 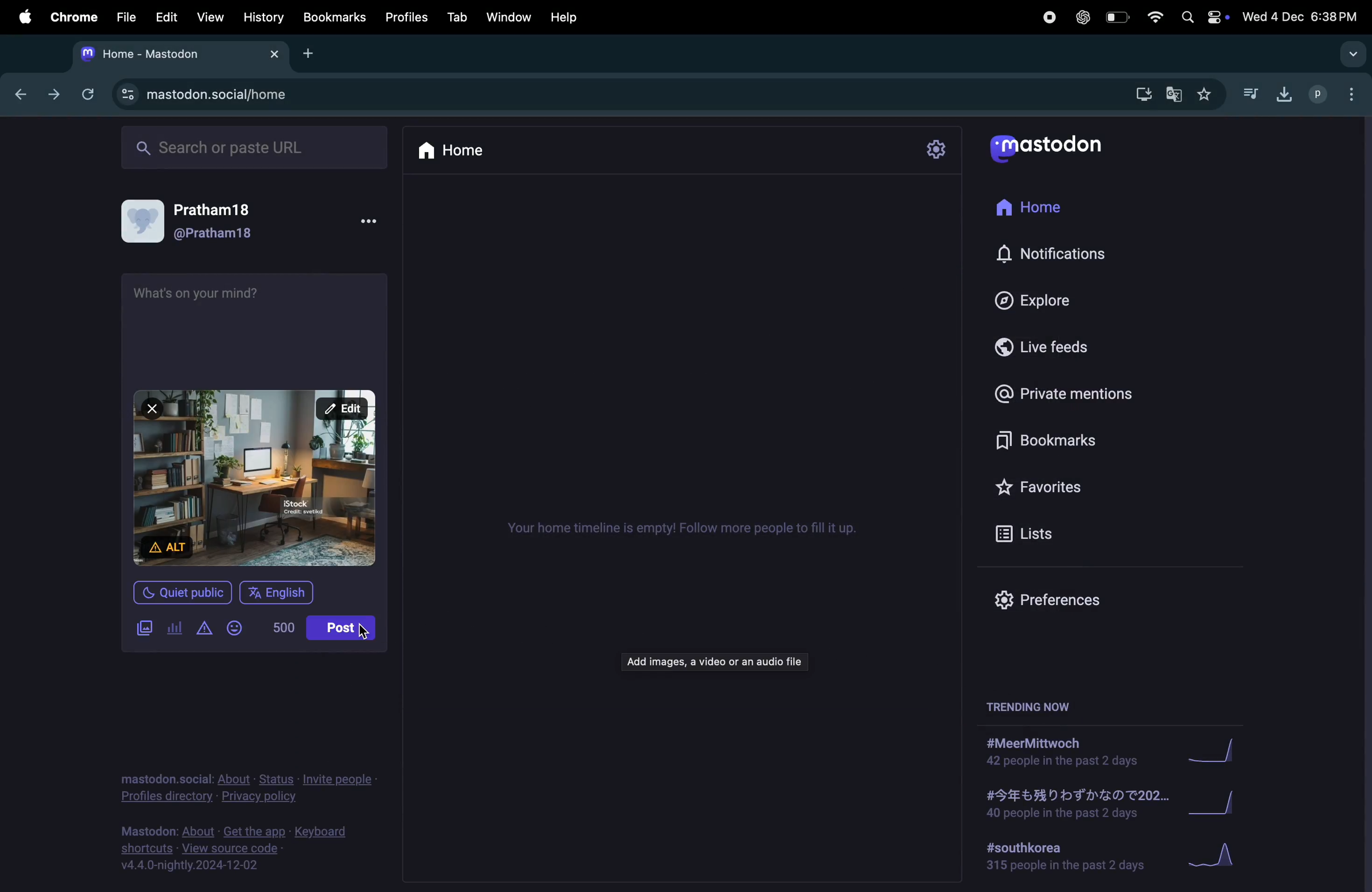 What do you see at coordinates (1143, 95) in the screenshot?
I see `download mastdon` at bounding box center [1143, 95].